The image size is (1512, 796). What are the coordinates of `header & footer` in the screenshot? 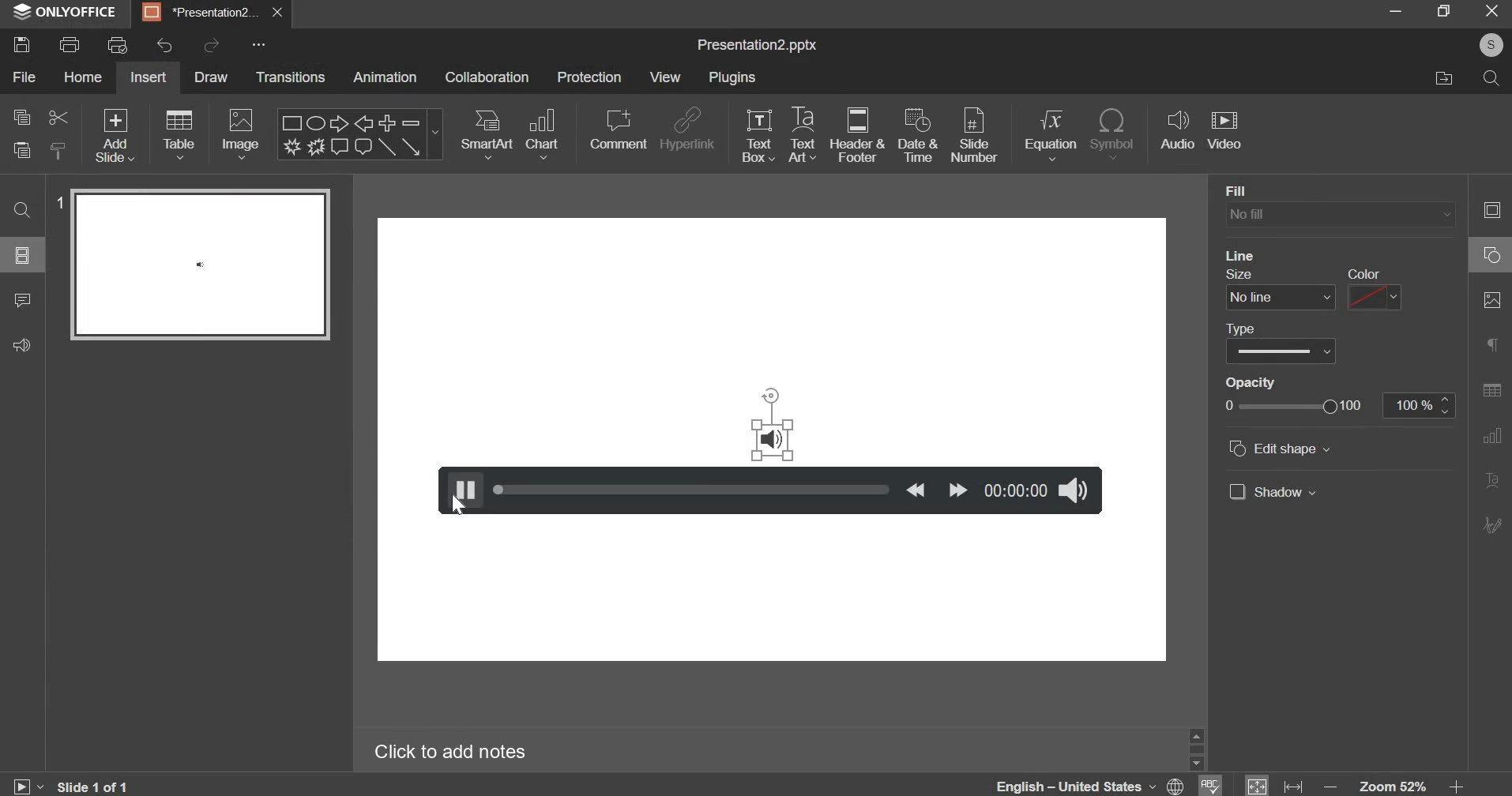 It's located at (861, 136).